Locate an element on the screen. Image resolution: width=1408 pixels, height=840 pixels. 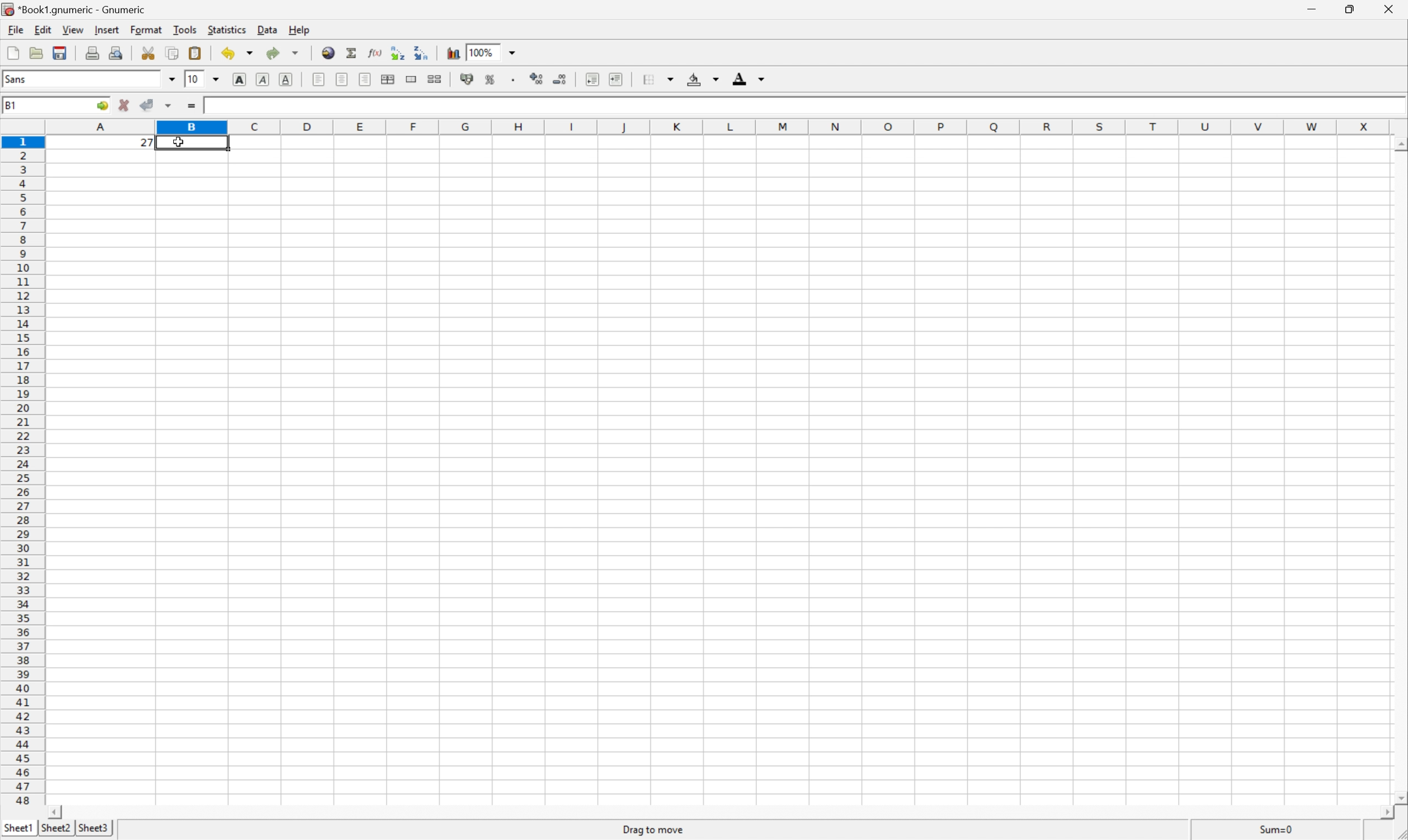
Data is located at coordinates (267, 30).